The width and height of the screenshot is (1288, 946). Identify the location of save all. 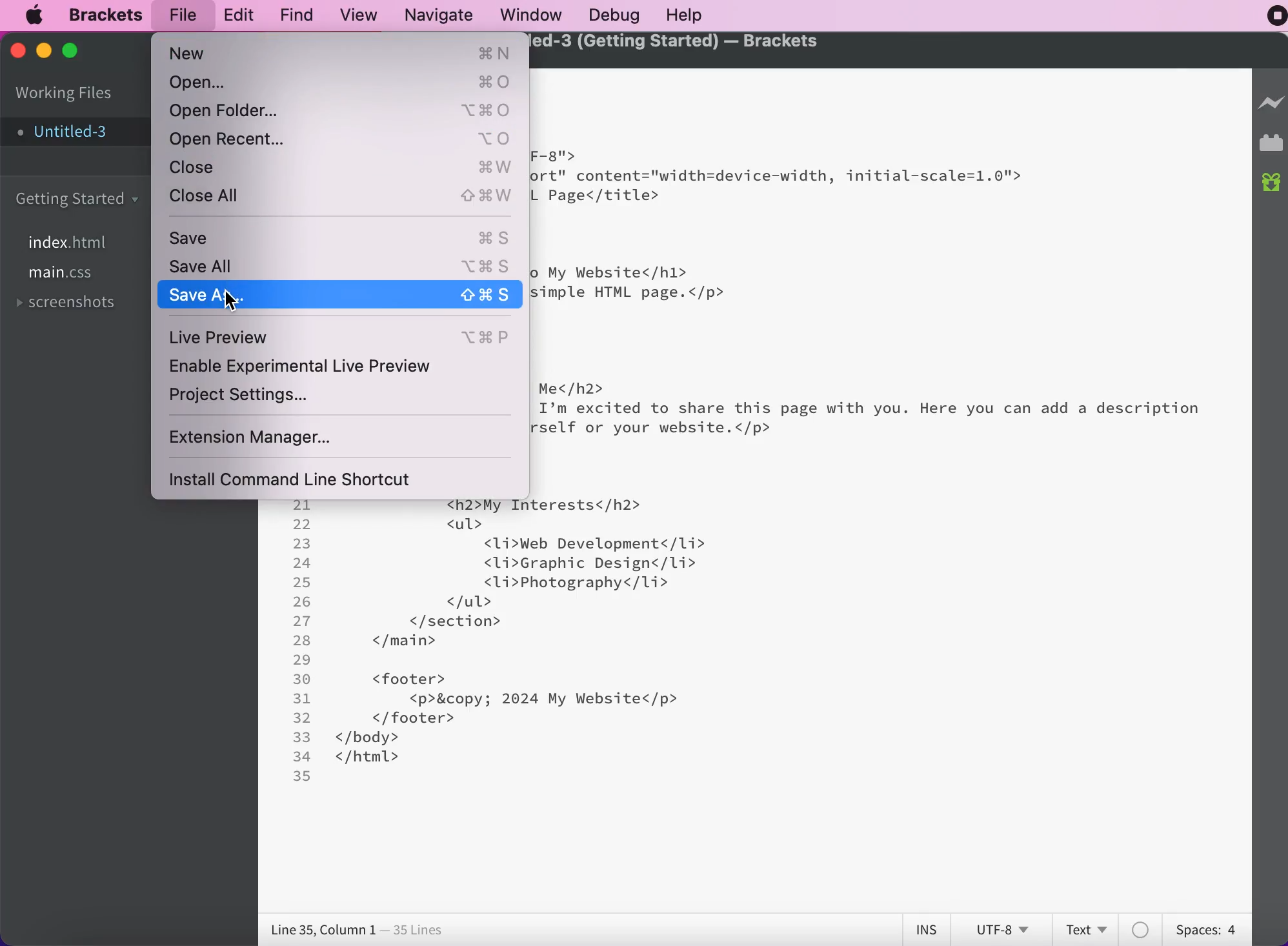
(339, 264).